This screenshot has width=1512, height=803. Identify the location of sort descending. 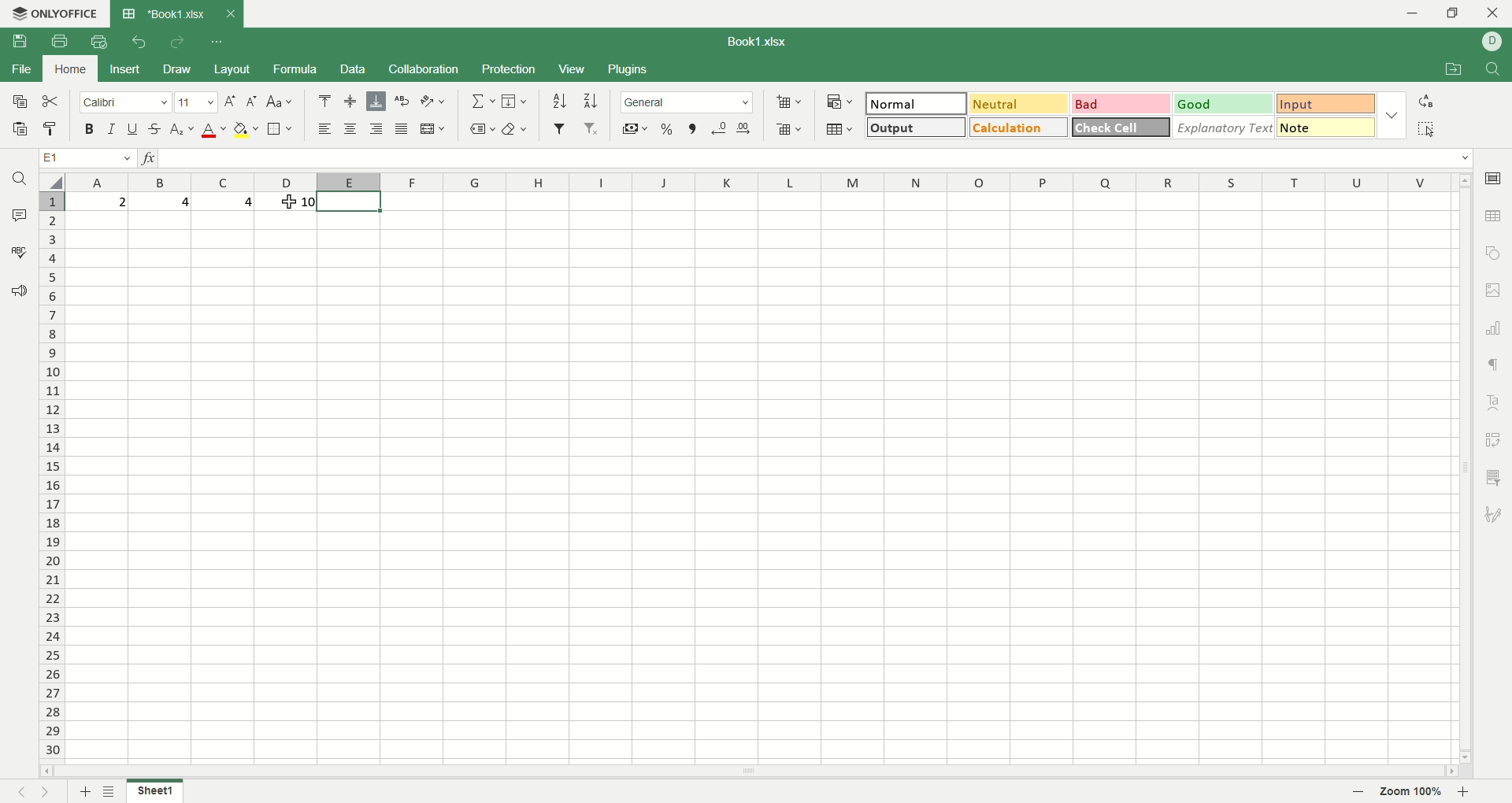
(590, 100).